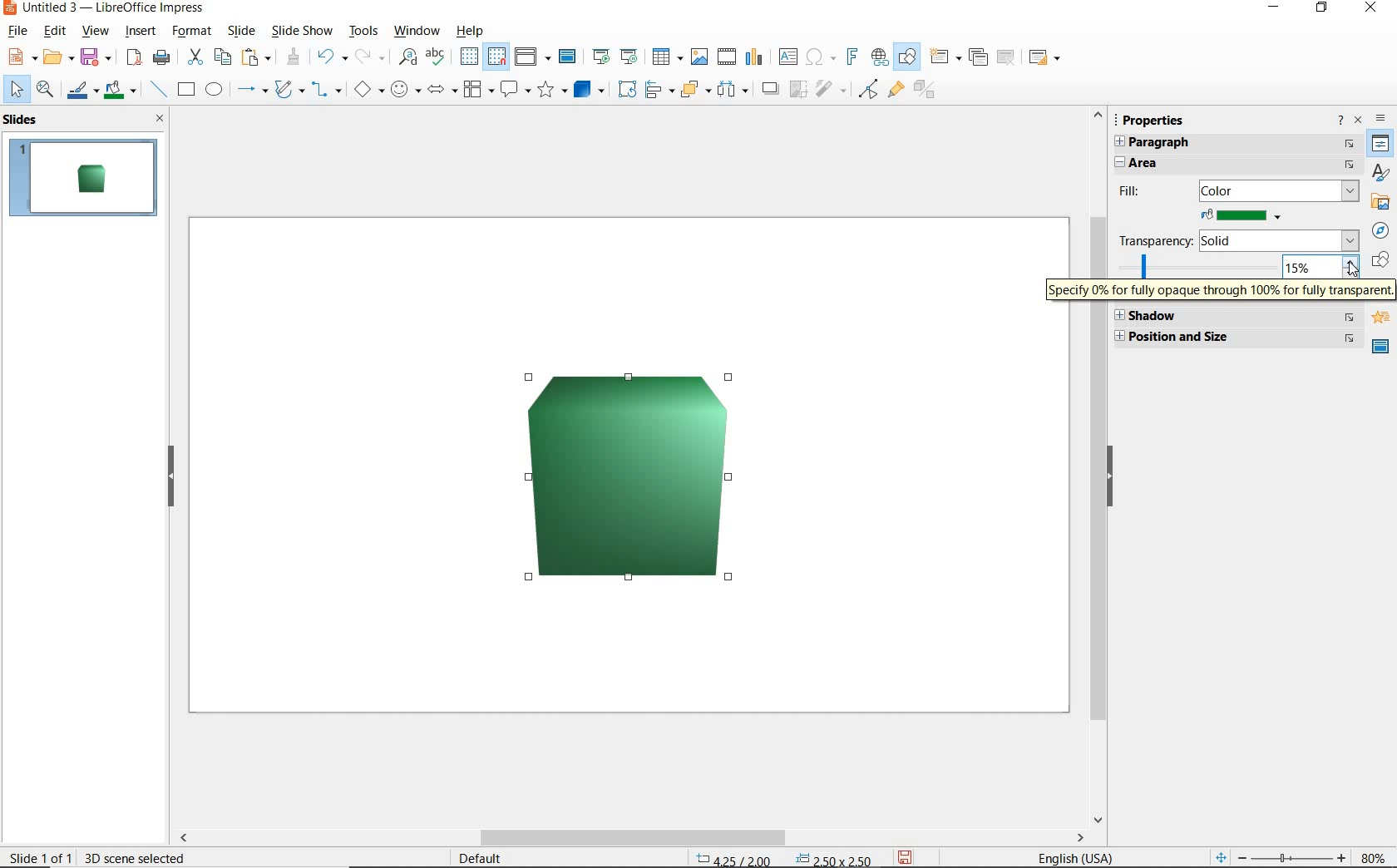 The width and height of the screenshot is (1397, 868). Describe the element at coordinates (1380, 204) in the screenshot. I see `GALLERY` at that location.